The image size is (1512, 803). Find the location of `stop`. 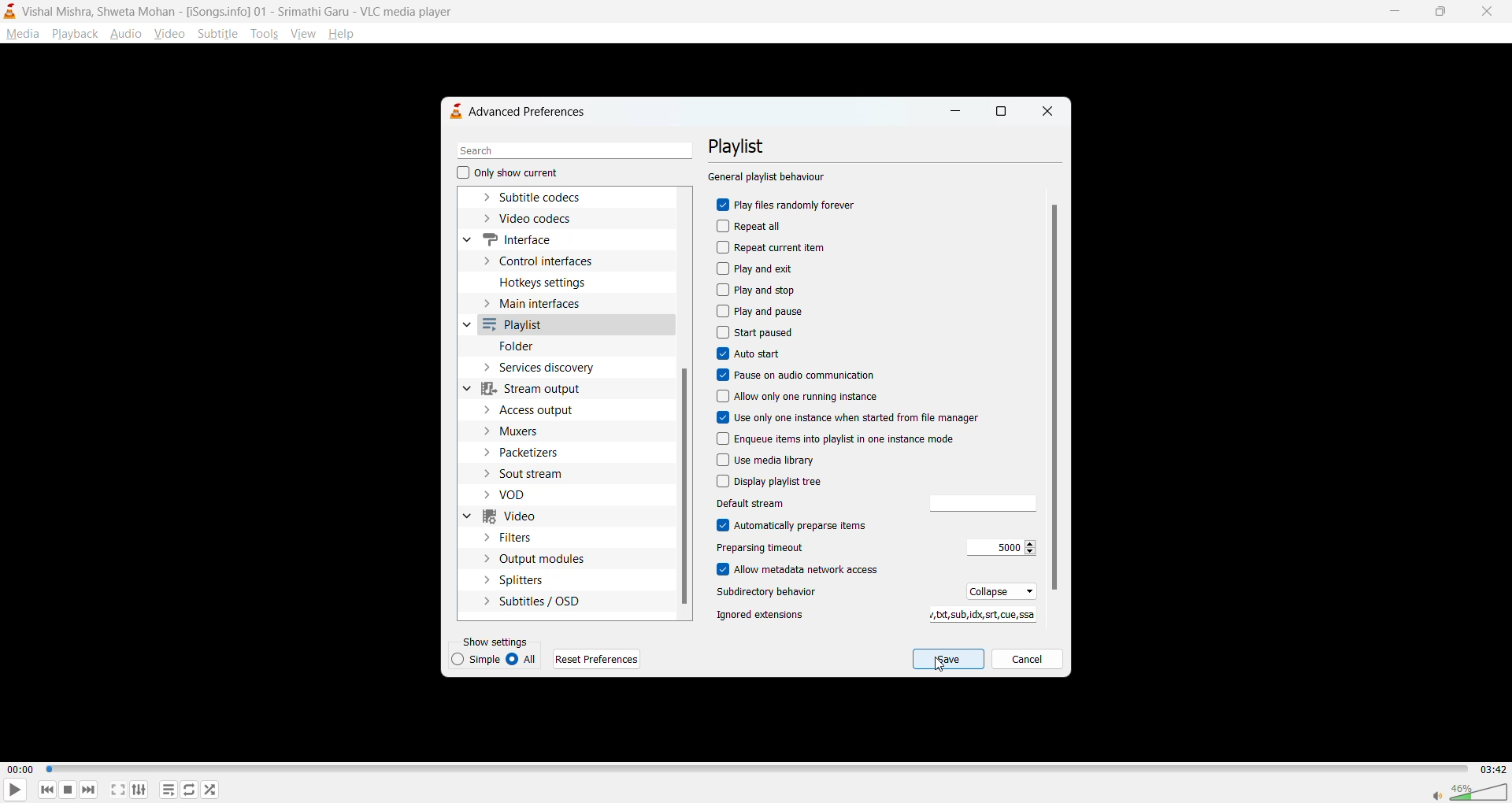

stop is located at coordinates (65, 790).